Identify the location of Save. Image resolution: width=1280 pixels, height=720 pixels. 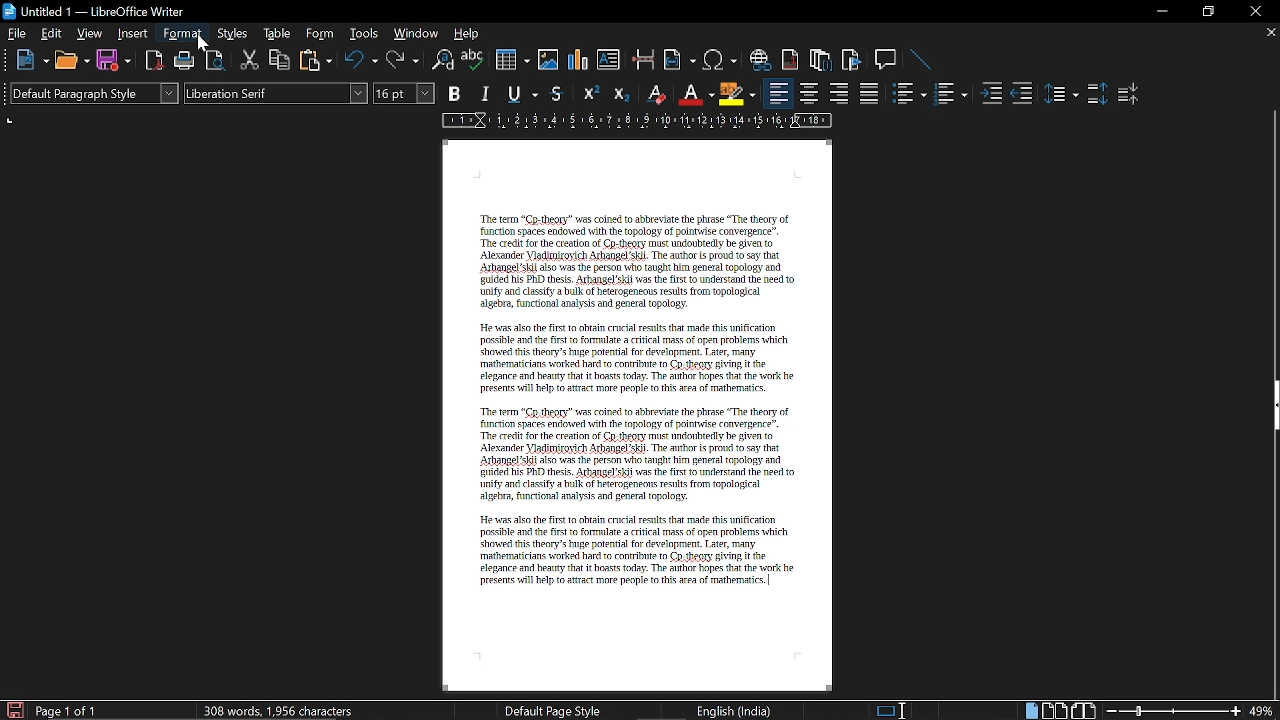
(114, 63).